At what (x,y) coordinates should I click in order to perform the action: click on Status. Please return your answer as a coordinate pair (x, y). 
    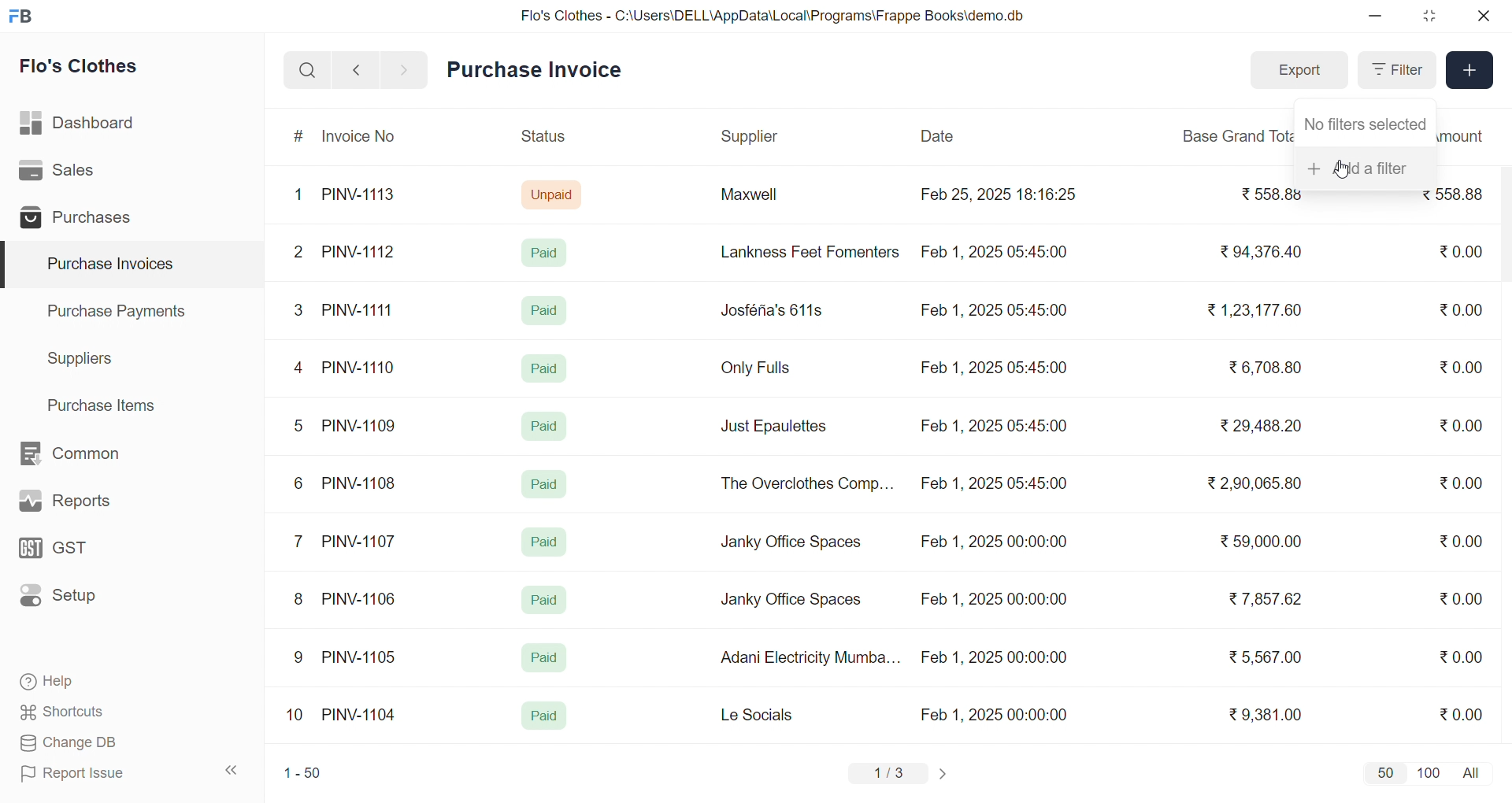
    Looking at the image, I should click on (542, 139).